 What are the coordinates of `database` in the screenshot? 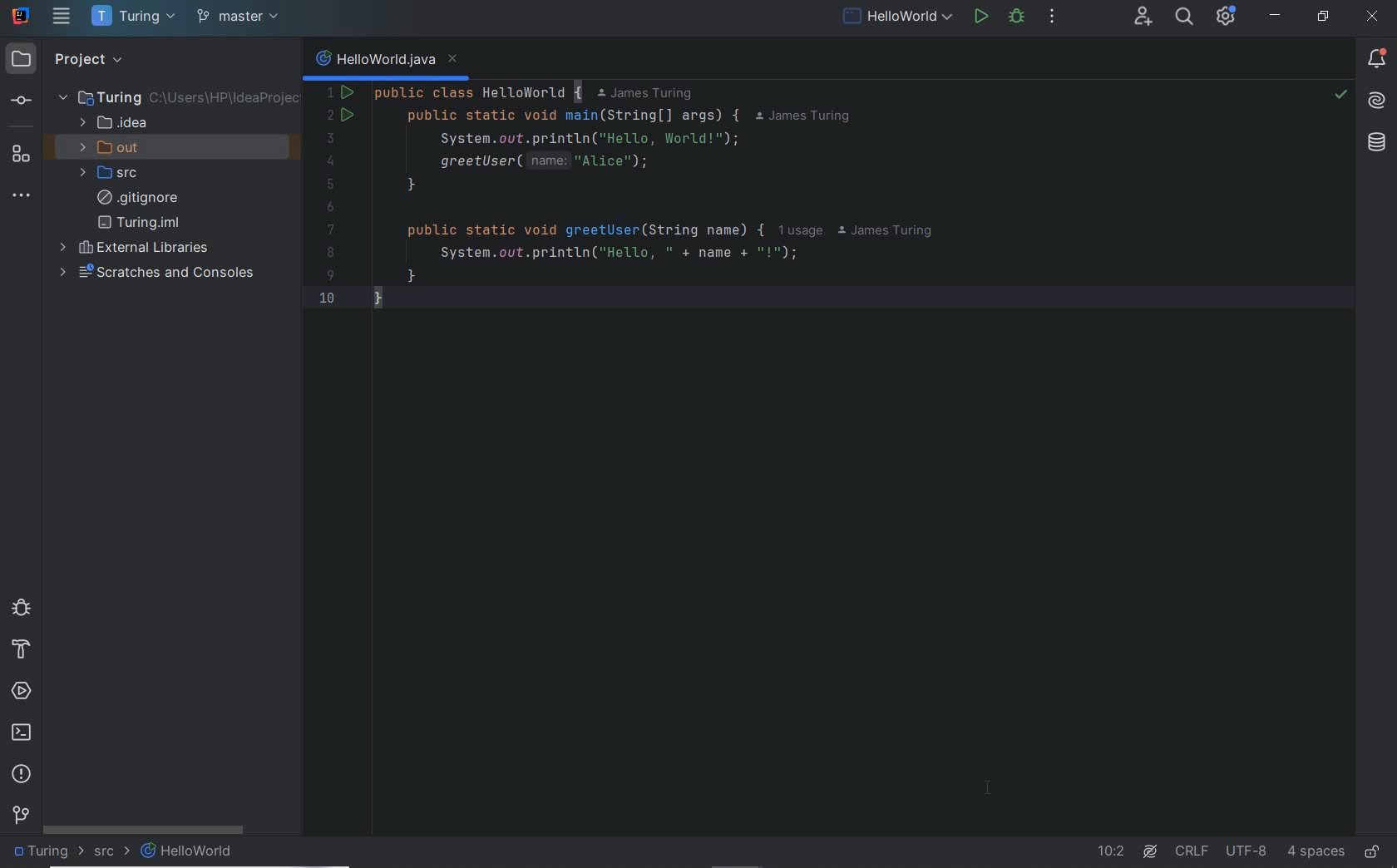 It's located at (1375, 144).